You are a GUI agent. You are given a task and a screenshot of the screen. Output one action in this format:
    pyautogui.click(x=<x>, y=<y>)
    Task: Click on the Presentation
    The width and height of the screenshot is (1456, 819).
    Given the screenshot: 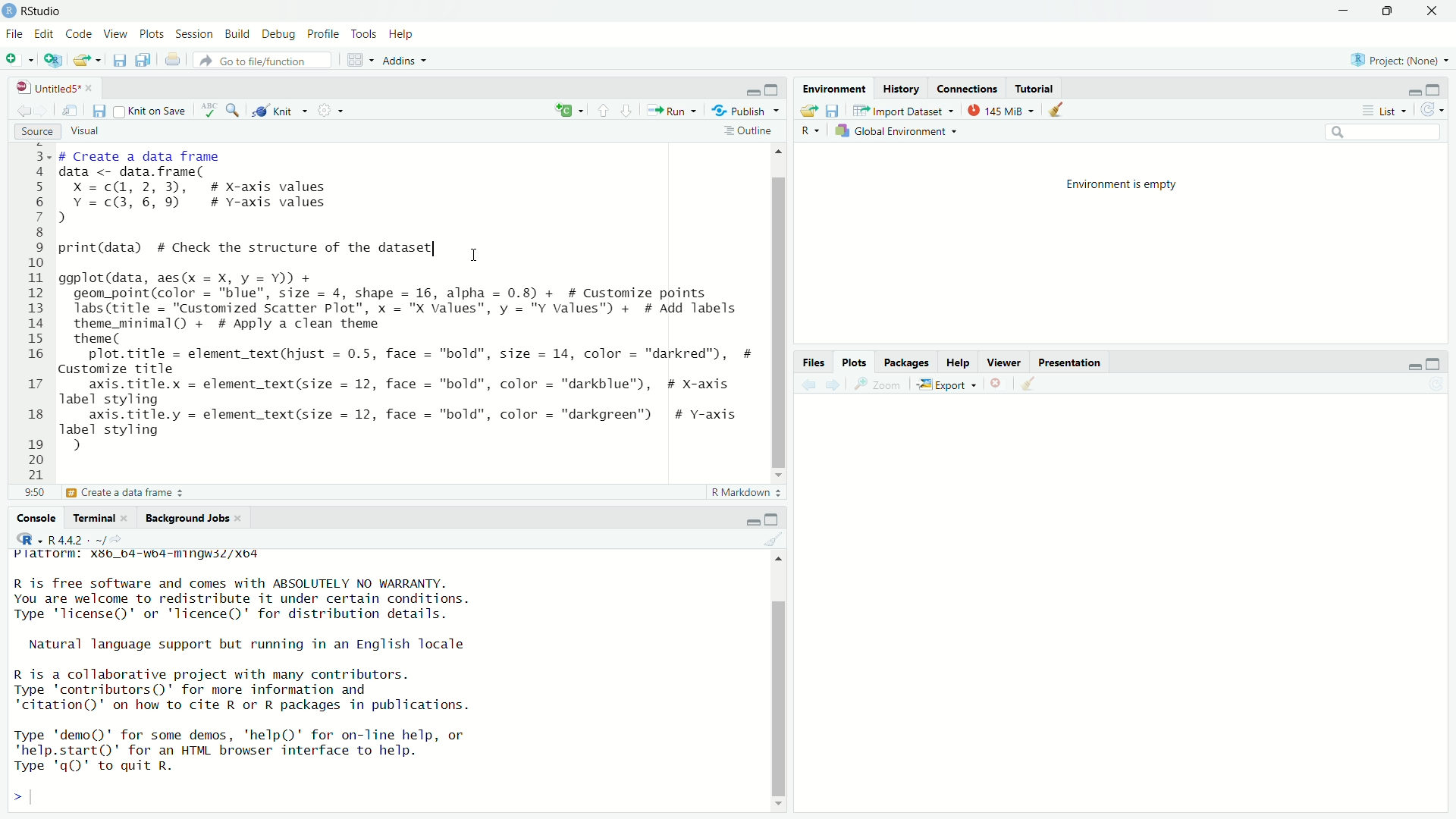 What is the action you would take?
    pyautogui.click(x=1066, y=365)
    